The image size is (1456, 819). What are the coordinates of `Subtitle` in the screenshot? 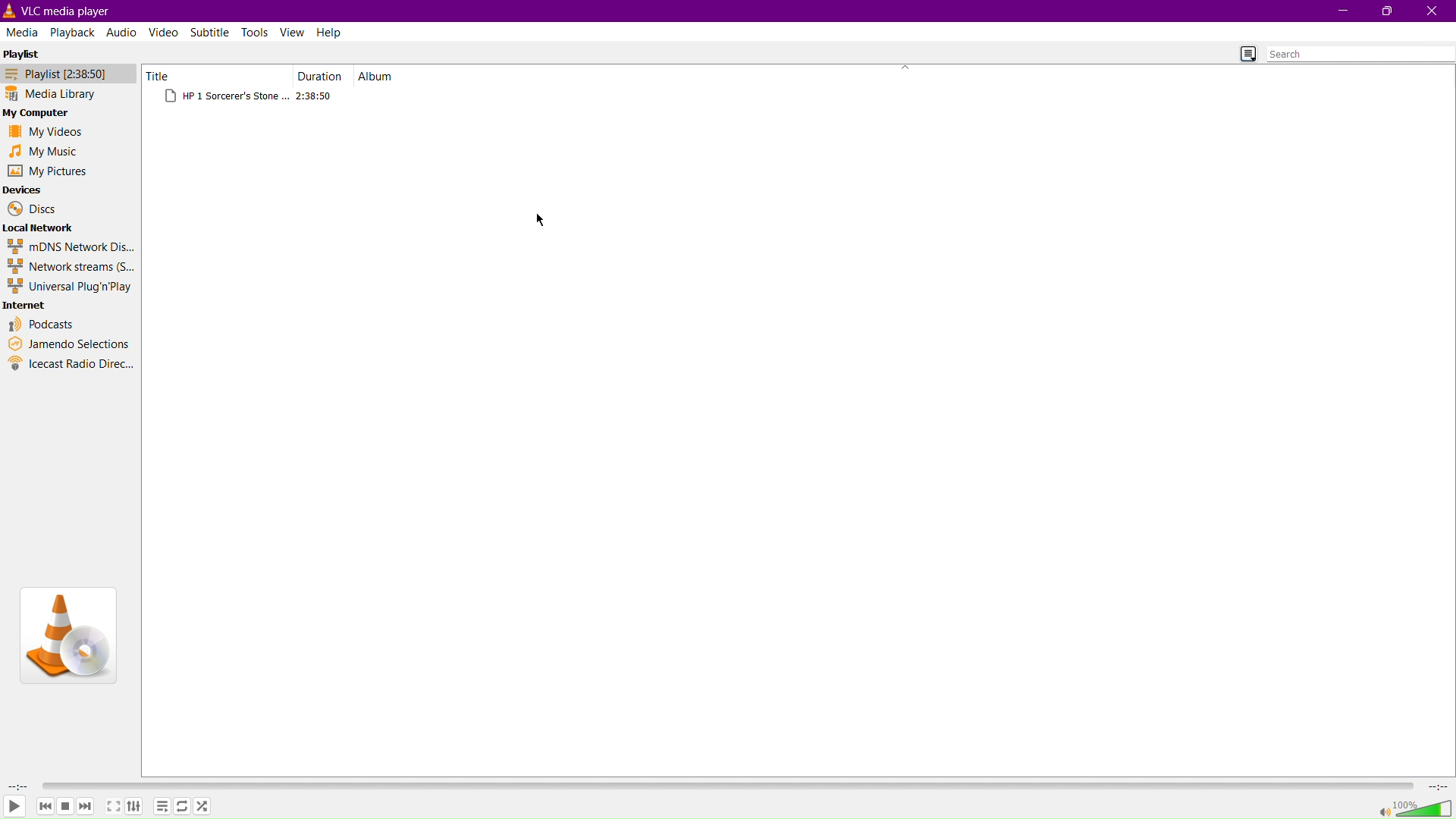 It's located at (212, 31).